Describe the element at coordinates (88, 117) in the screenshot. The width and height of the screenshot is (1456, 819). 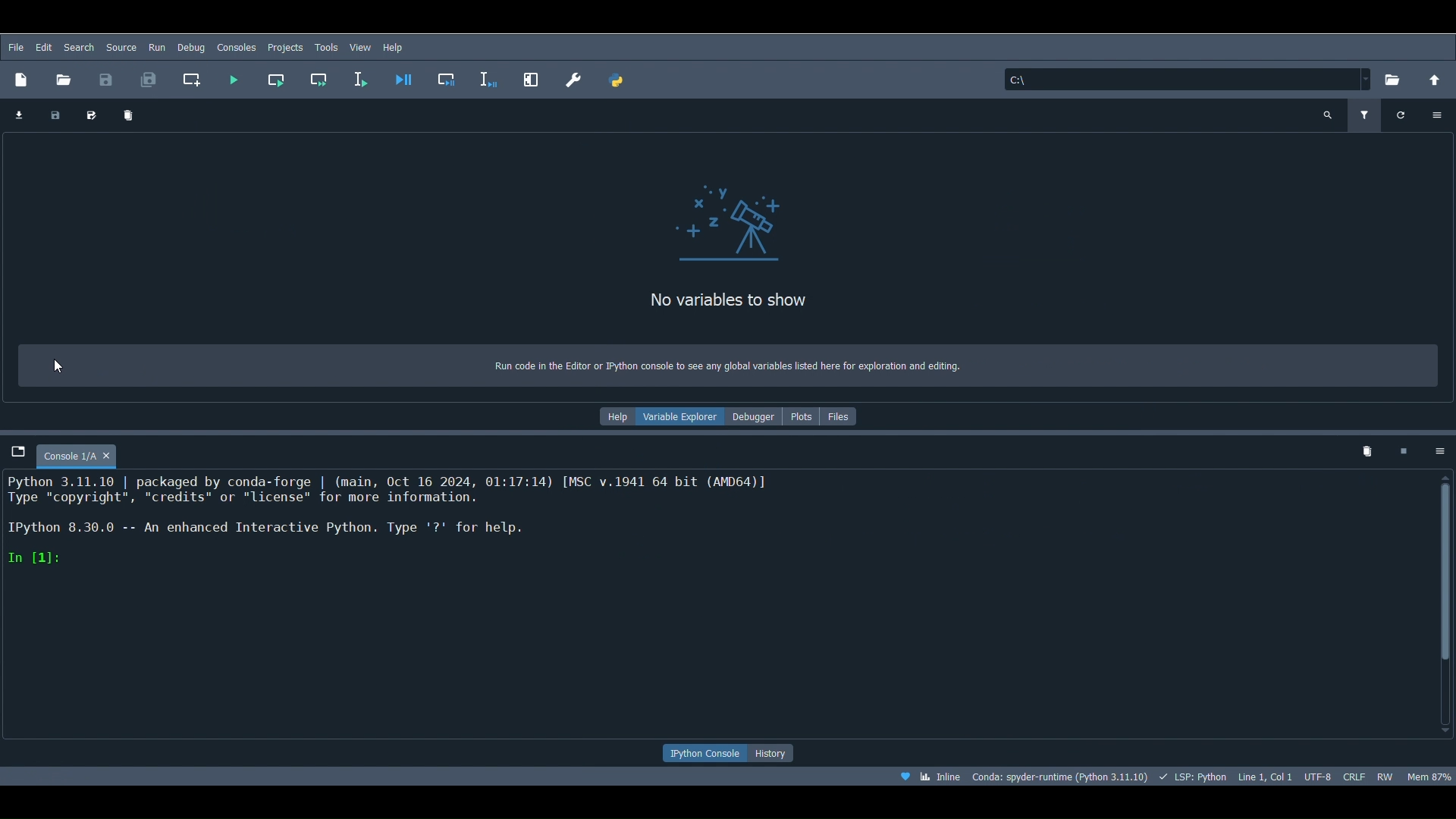
I see `Save data as` at that location.